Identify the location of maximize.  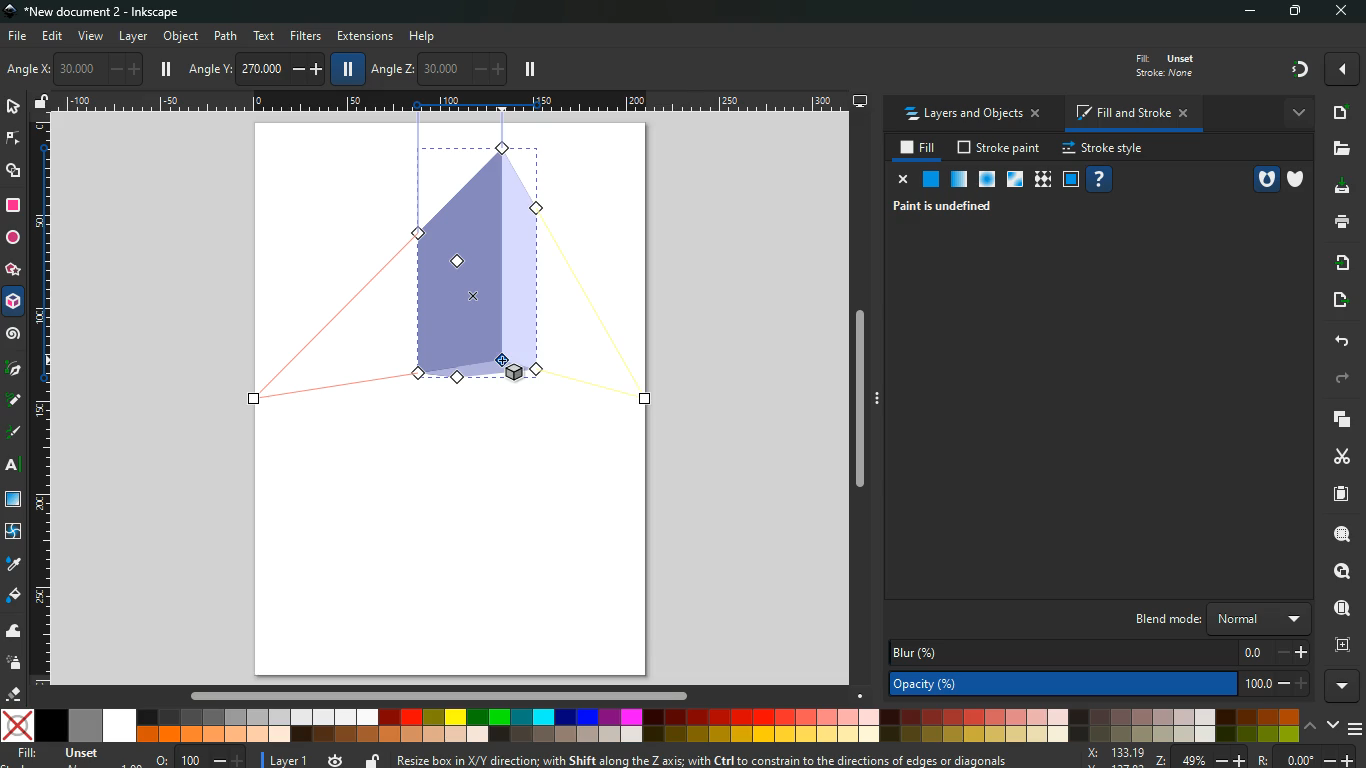
(1298, 12).